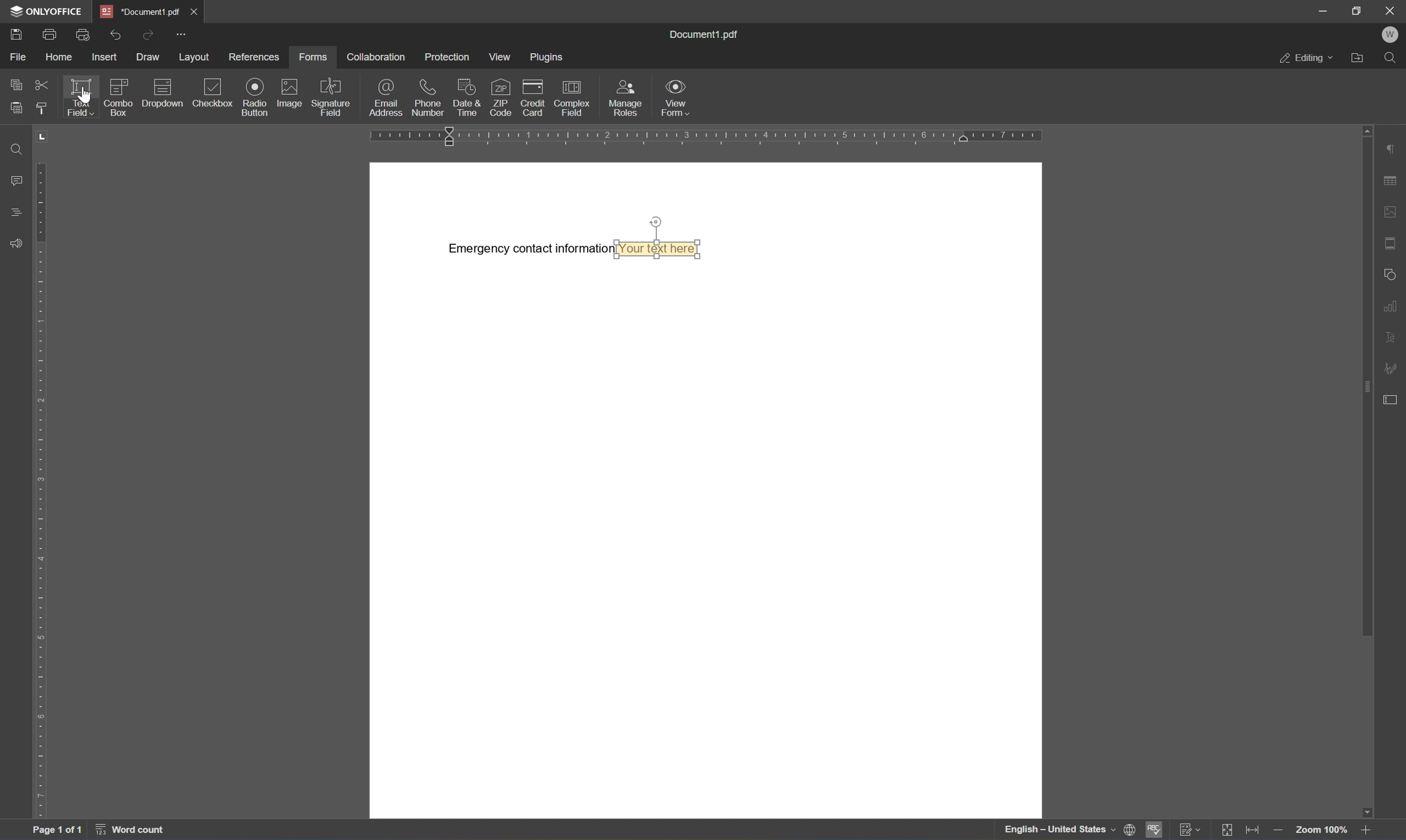  I want to click on form settings, so click(1394, 398).